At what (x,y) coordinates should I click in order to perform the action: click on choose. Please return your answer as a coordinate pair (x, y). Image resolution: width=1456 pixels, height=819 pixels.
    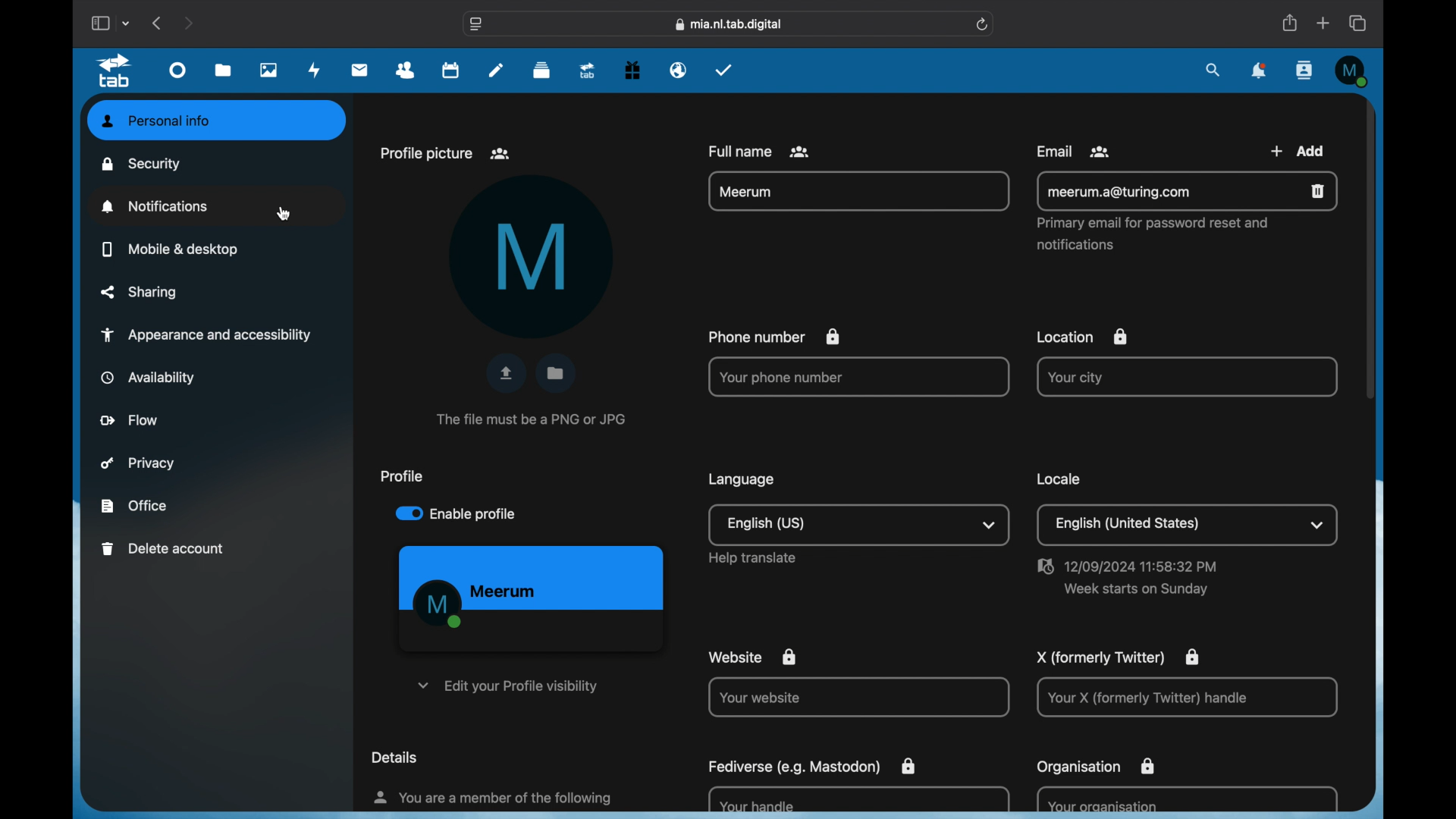
    Looking at the image, I should click on (560, 373).